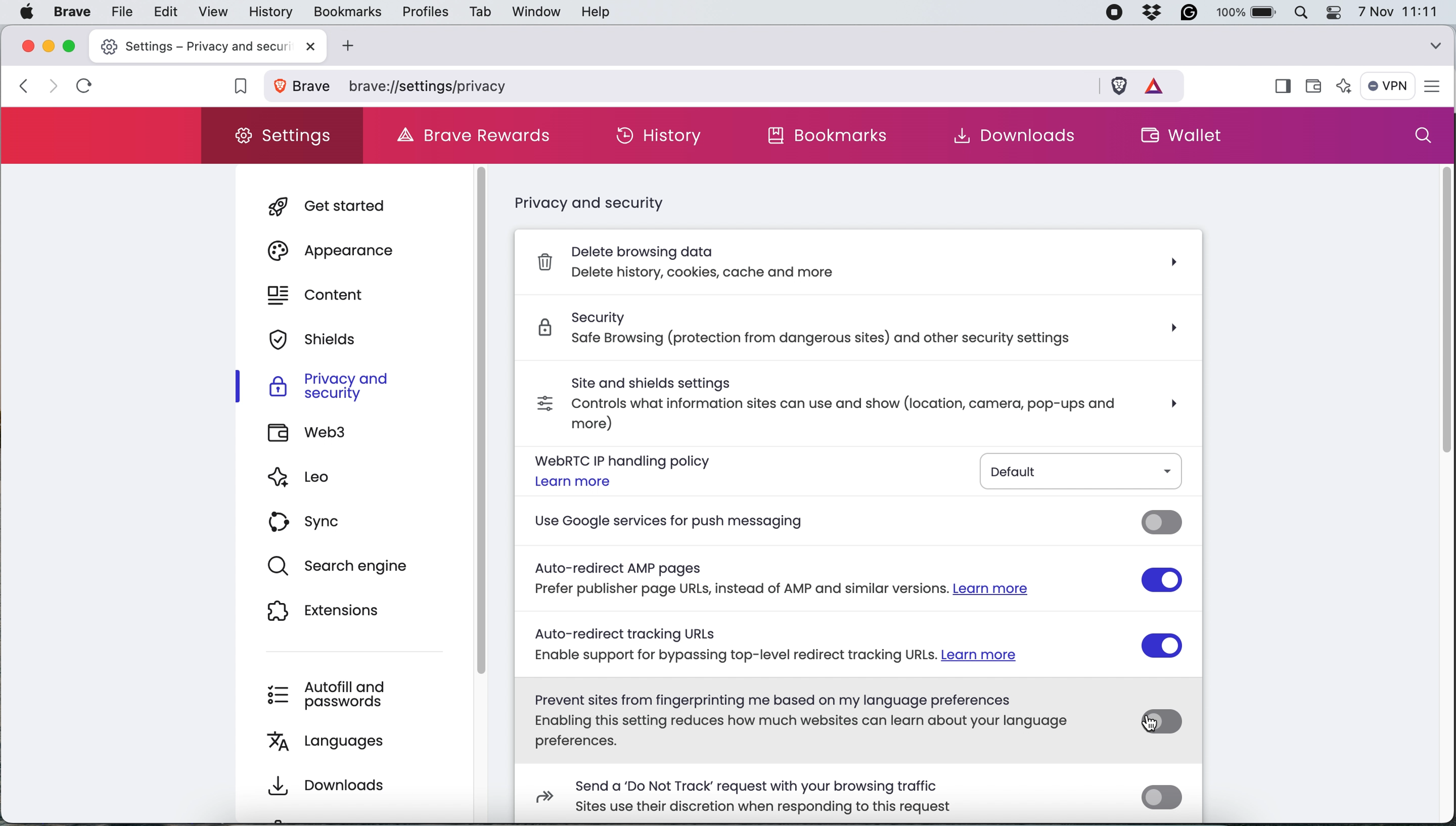  I want to click on appearance, so click(343, 250).